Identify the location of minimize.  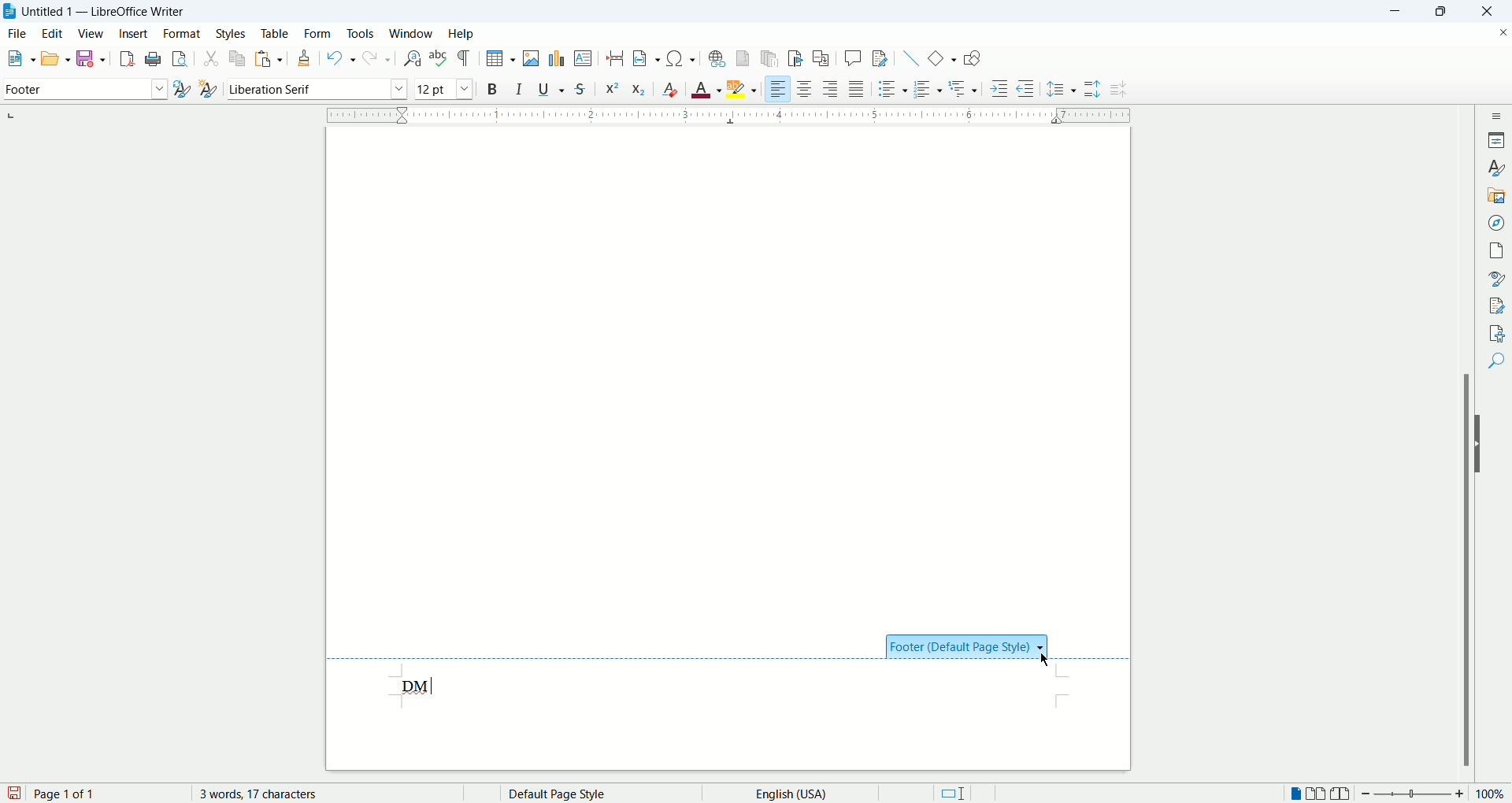
(1400, 10).